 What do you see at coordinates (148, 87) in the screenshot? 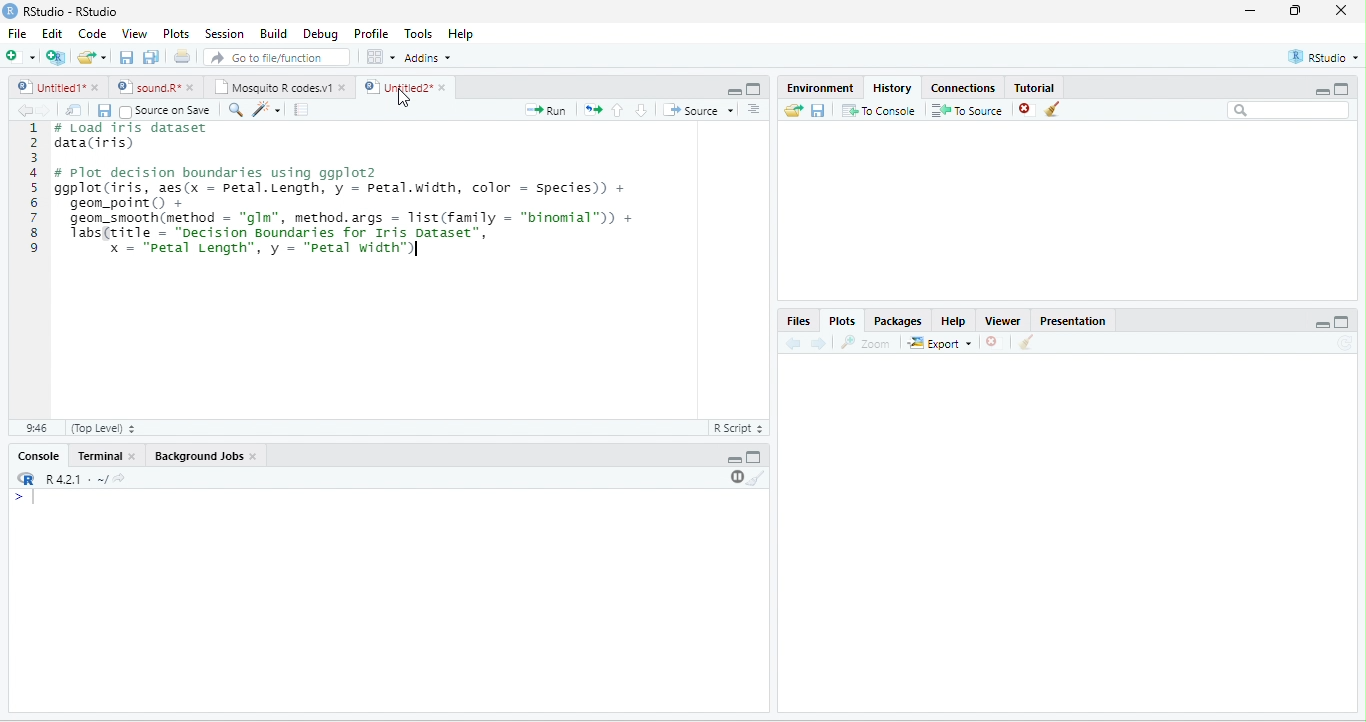
I see `sound.R` at bounding box center [148, 87].